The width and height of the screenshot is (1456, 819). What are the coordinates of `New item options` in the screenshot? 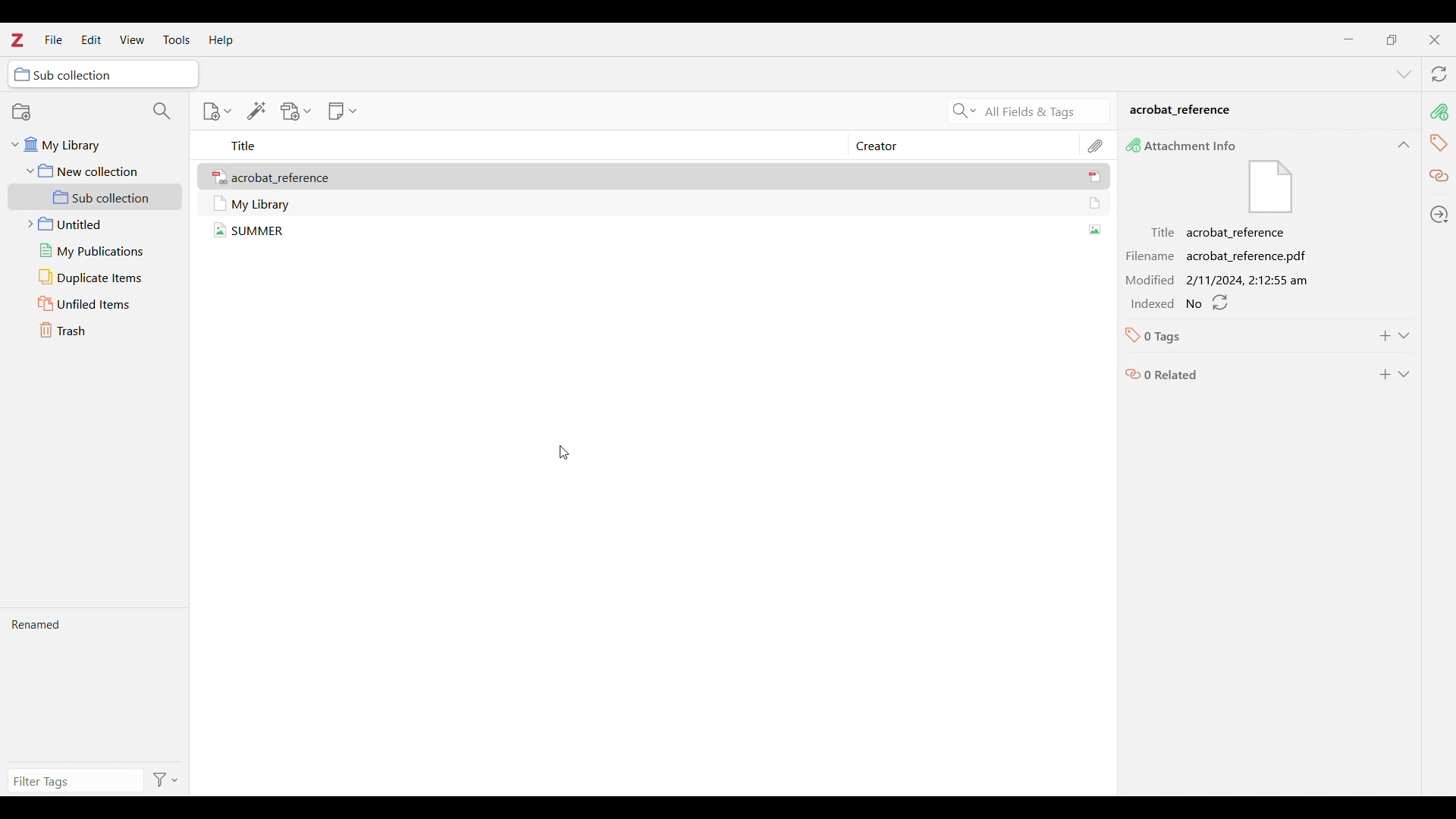 It's located at (217, 111).